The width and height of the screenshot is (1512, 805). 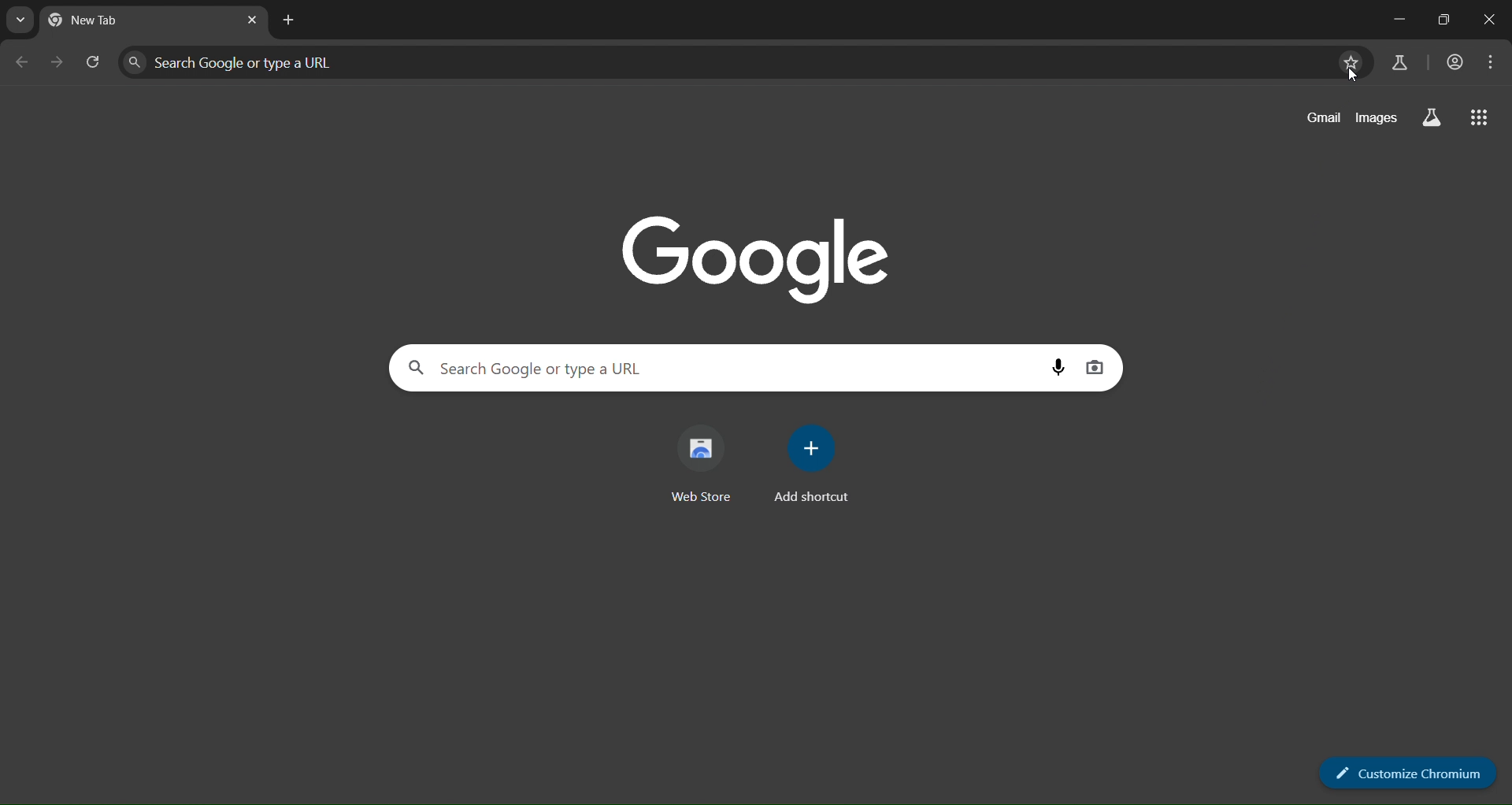 What do you see at coordinates (1377, 118) in the screenshot?
I see `images` at bounding box center [1377, 118].